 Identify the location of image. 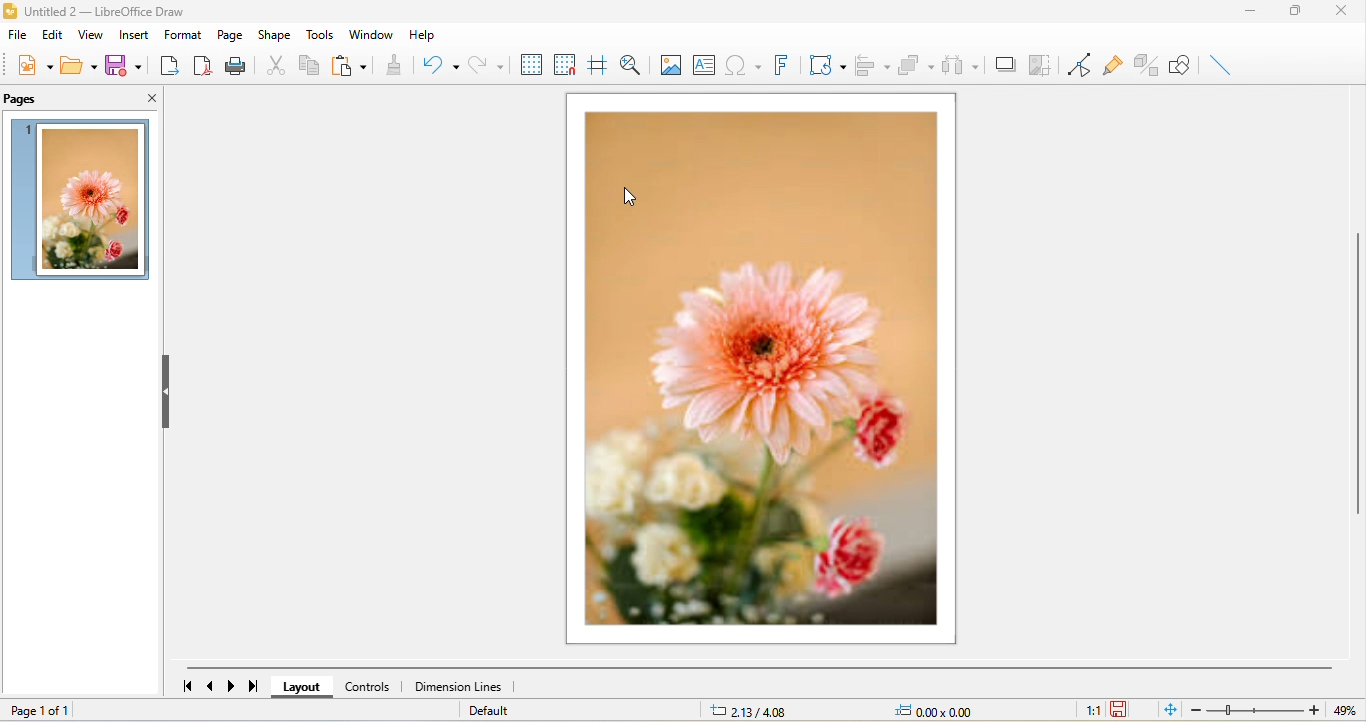
(675, 65).